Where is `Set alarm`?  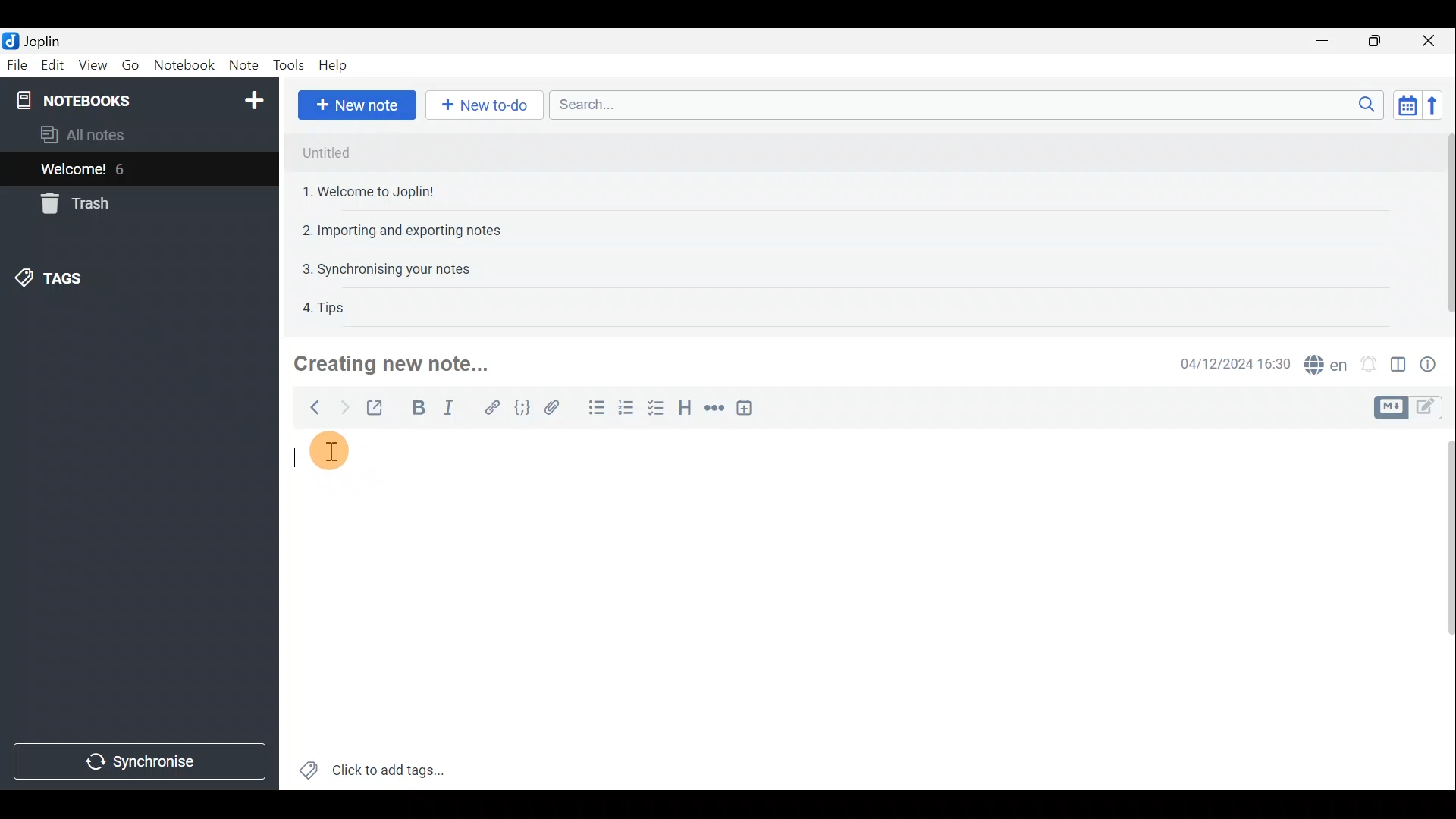 Set alarm is located at coordinates (1370, 364).